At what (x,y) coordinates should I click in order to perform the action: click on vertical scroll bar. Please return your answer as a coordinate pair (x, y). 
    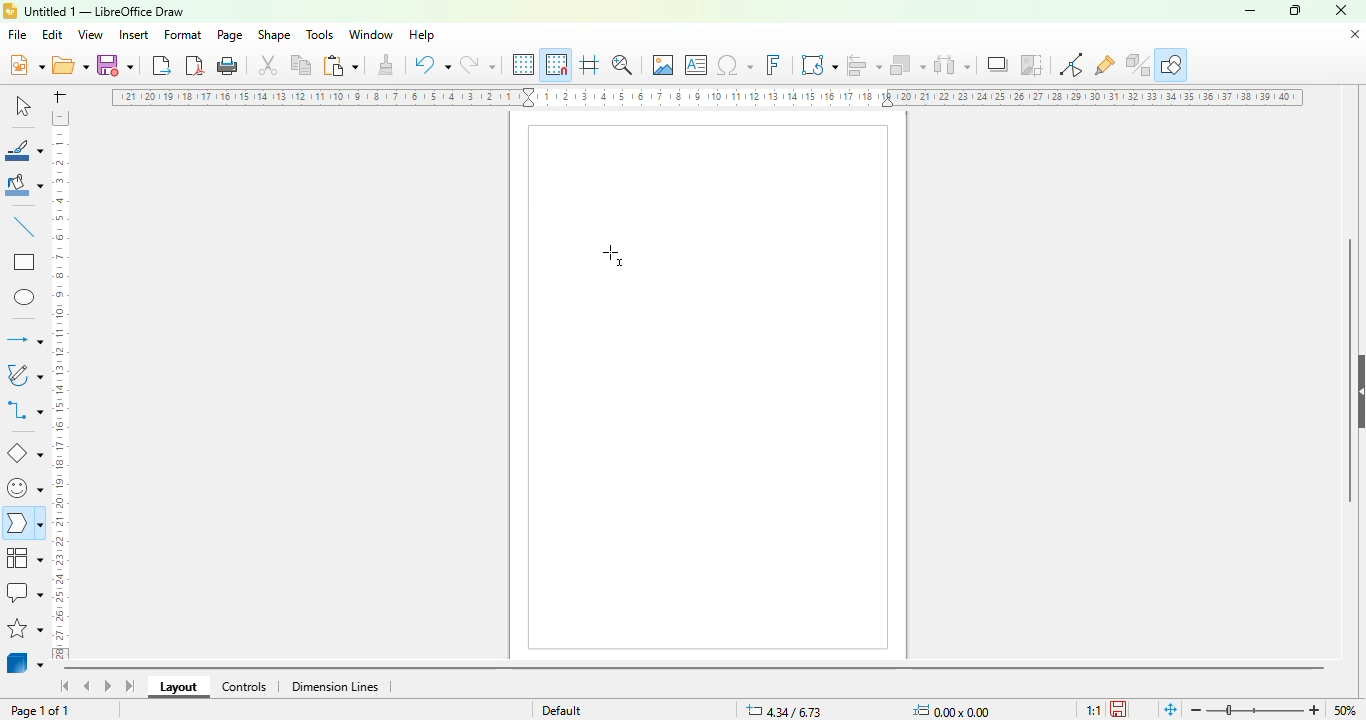
    Looking at the image, I should click on (1350, 371).